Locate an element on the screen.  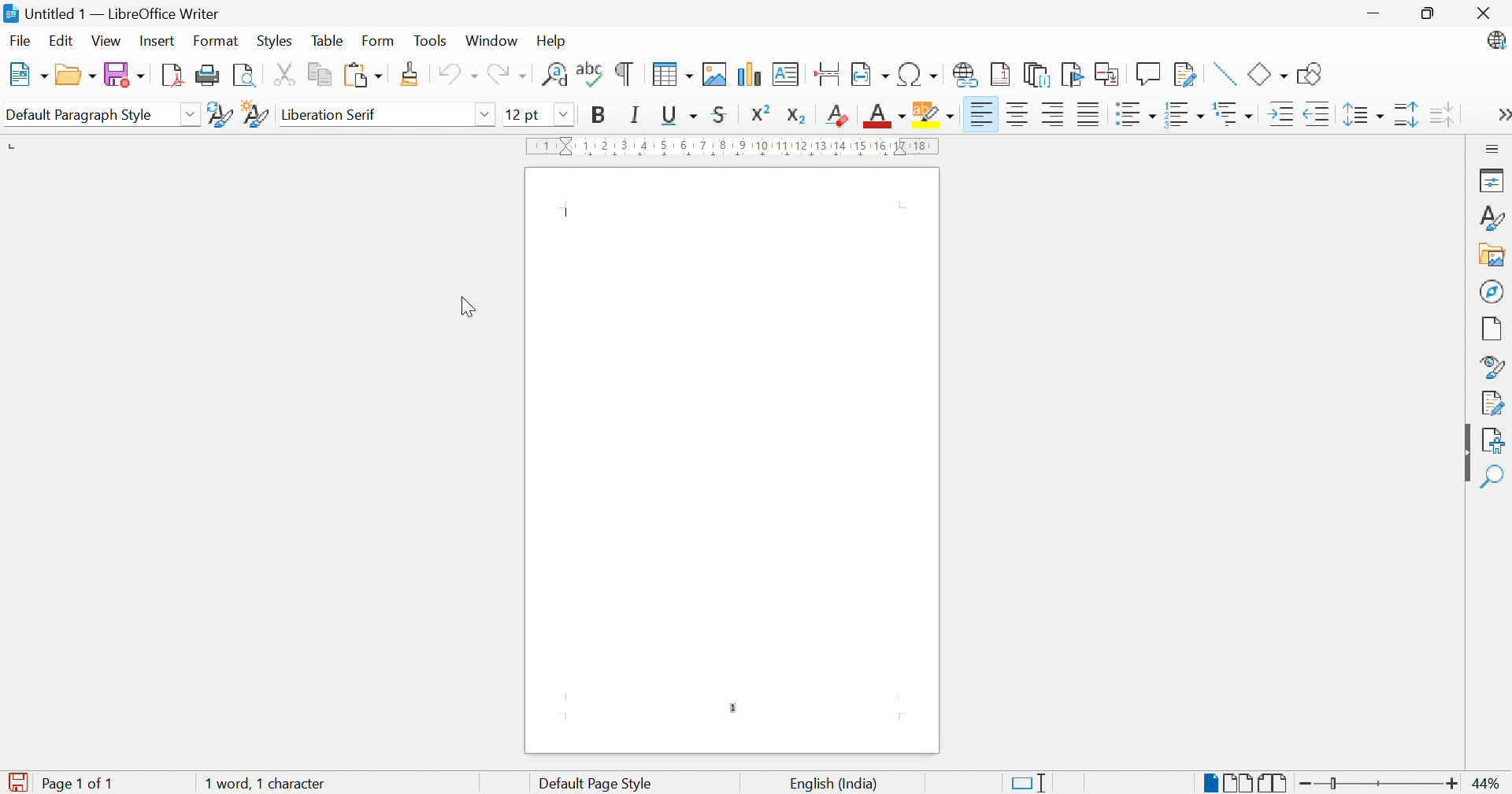
View is located at coordinates (106, 42).